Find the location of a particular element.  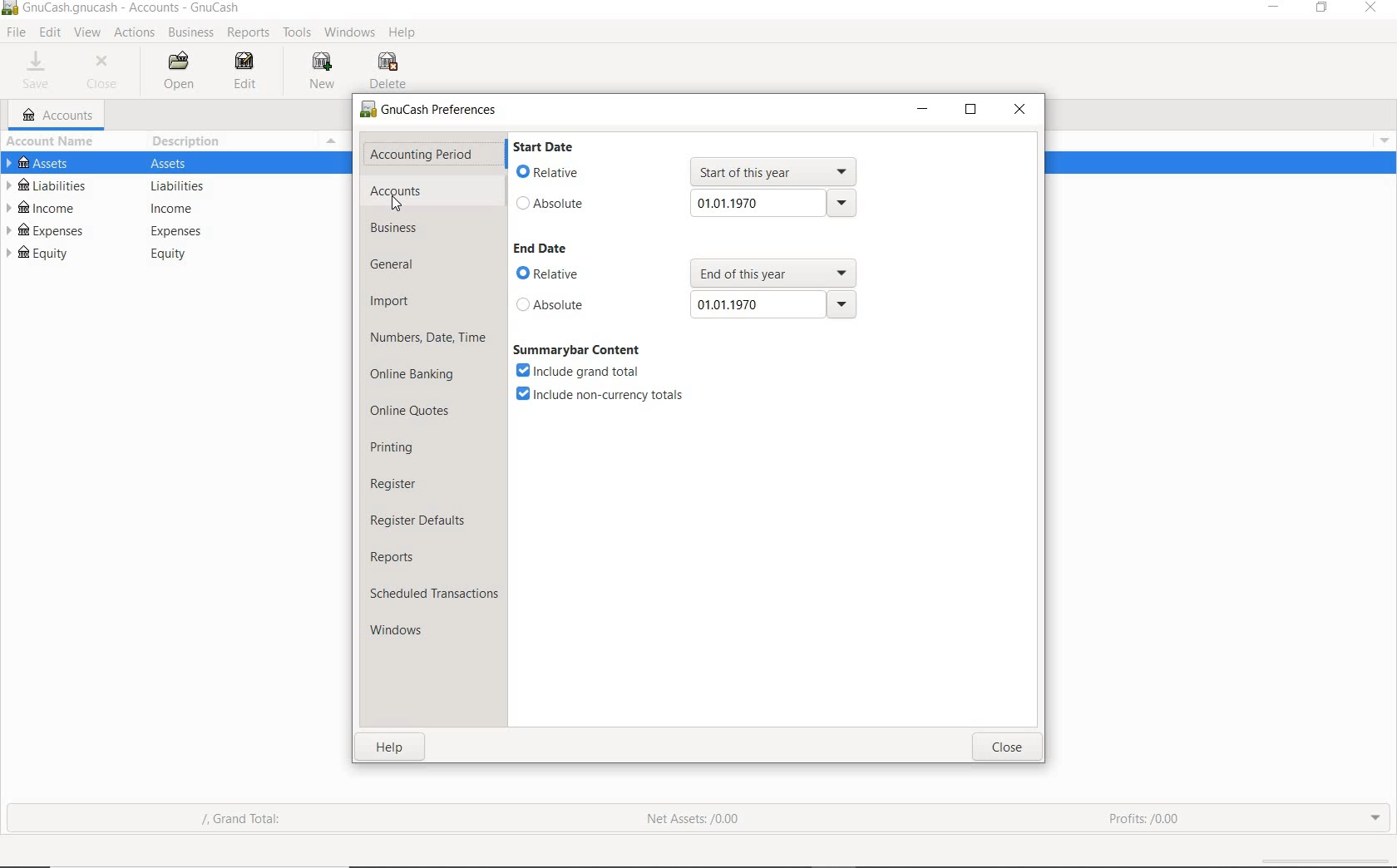

close is located at coordinates (1373, 9).